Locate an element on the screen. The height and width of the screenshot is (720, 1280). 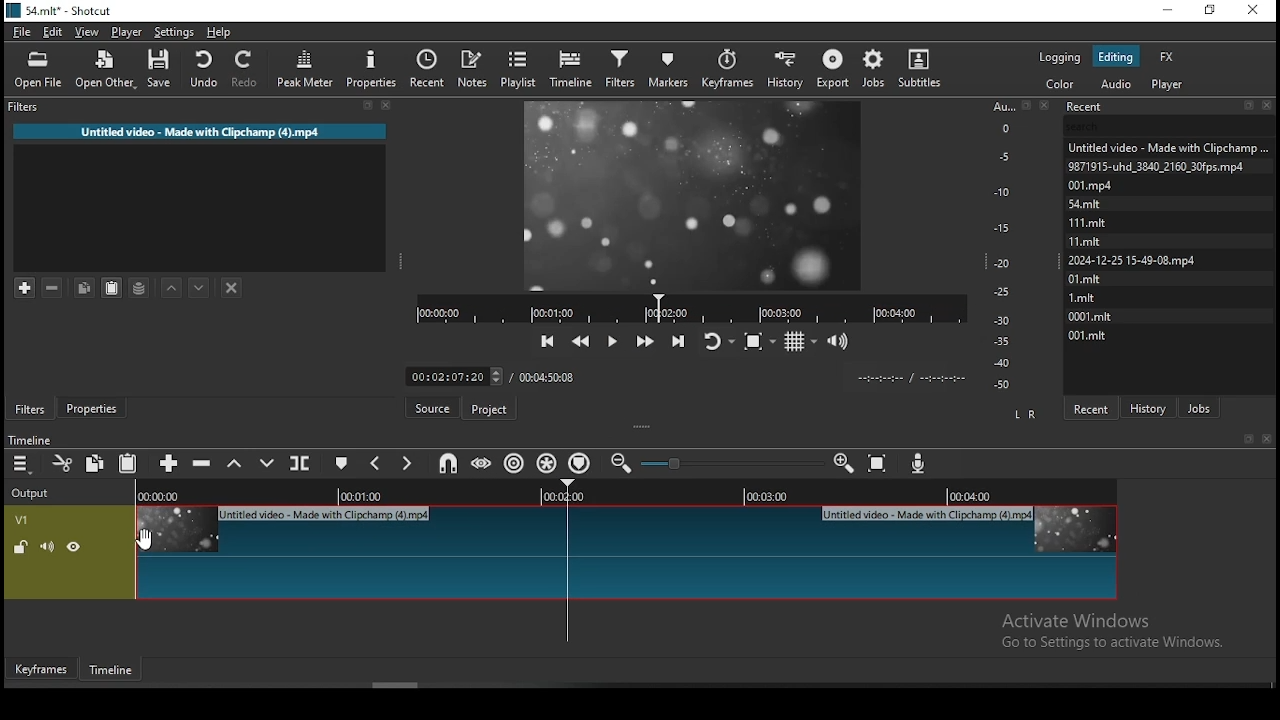
timeline is located at coordinates (622, 492).